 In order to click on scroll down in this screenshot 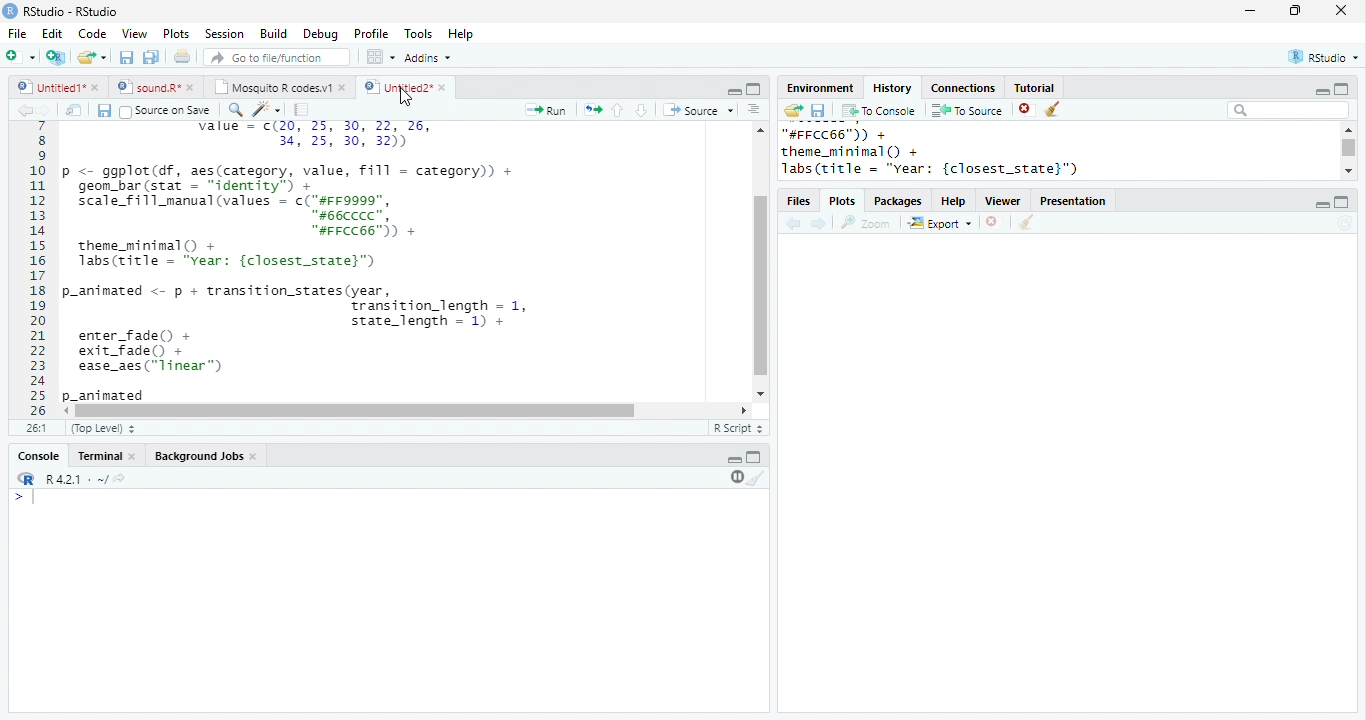, I will do `click(1347, 171)`.